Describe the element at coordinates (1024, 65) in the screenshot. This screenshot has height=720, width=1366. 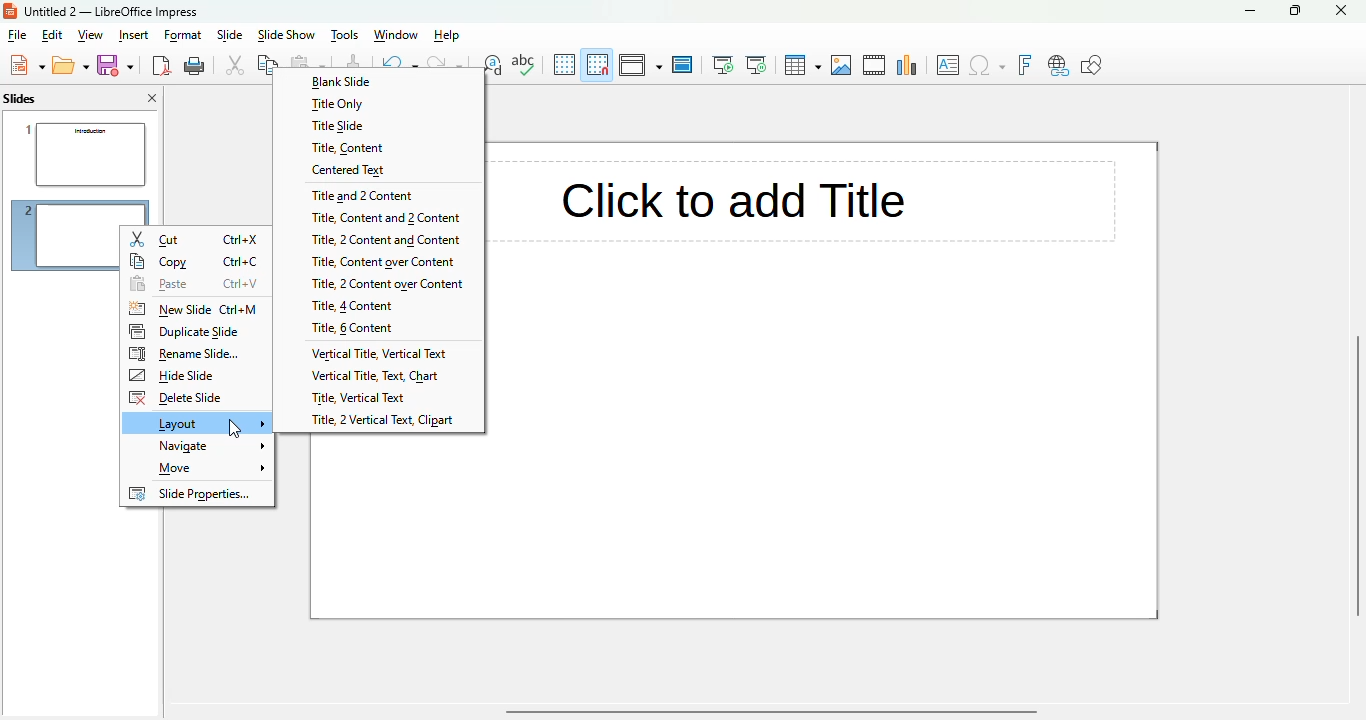
I see `insert fontwork text` at that location.